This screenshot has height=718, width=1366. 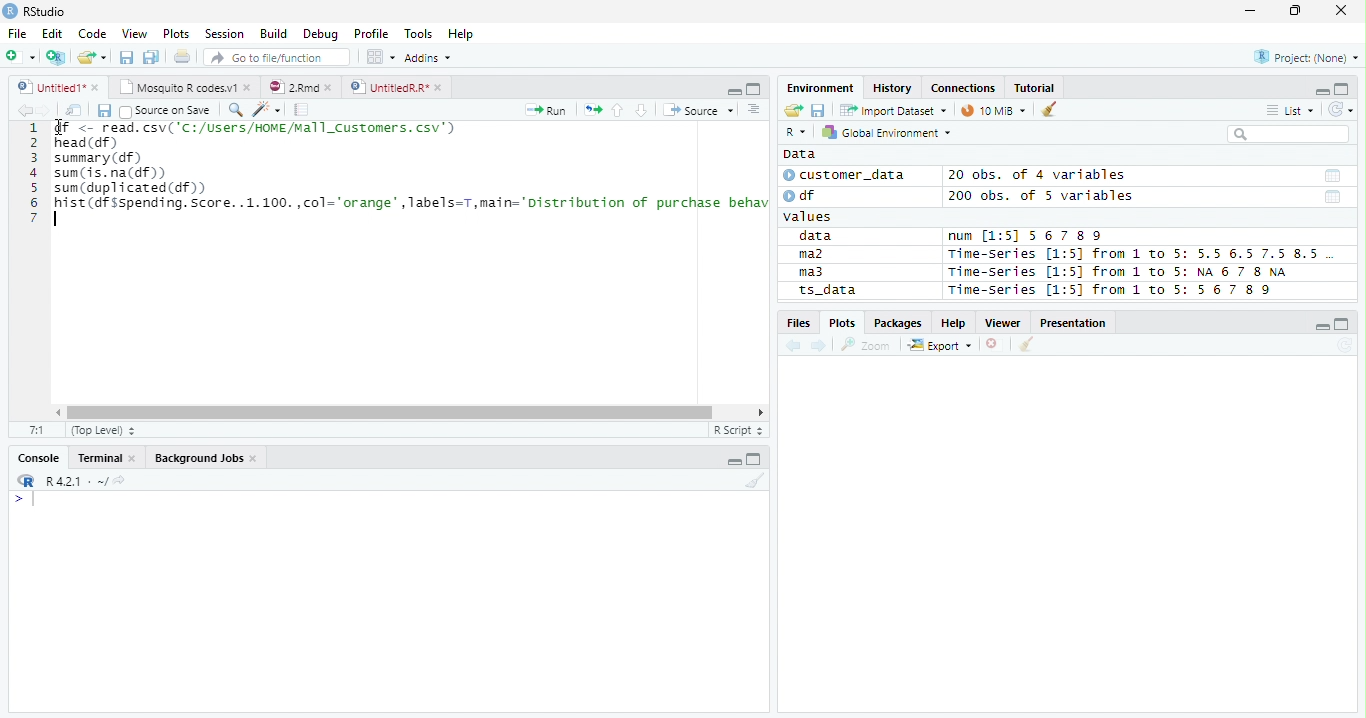 What do you see at coordinates (398, 88) in the screenshot?
I see `UnititledR.R` at bounding box center [398, 88].